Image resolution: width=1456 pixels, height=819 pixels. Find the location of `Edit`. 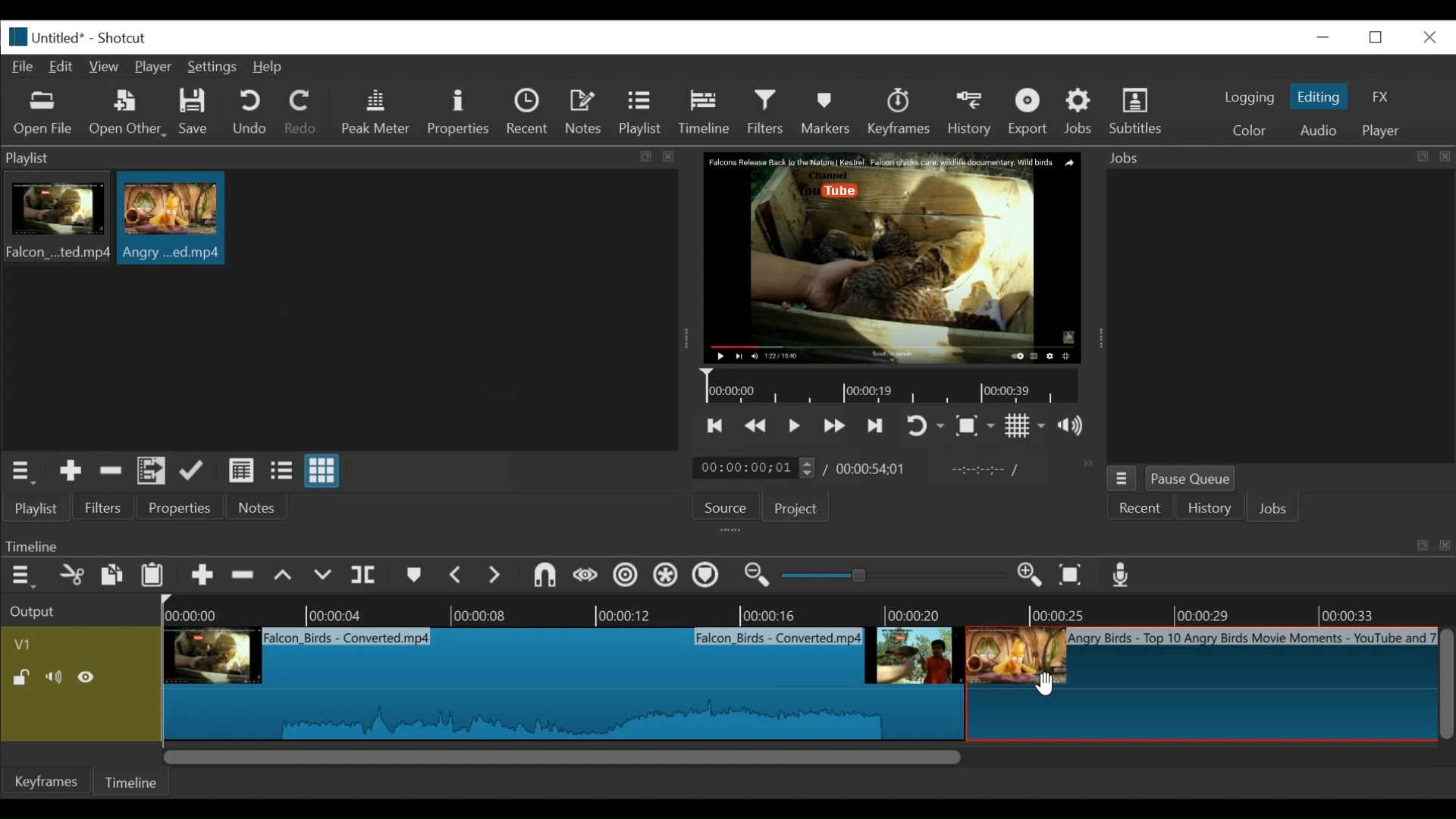

Edit is located at coordinates (64, 65).